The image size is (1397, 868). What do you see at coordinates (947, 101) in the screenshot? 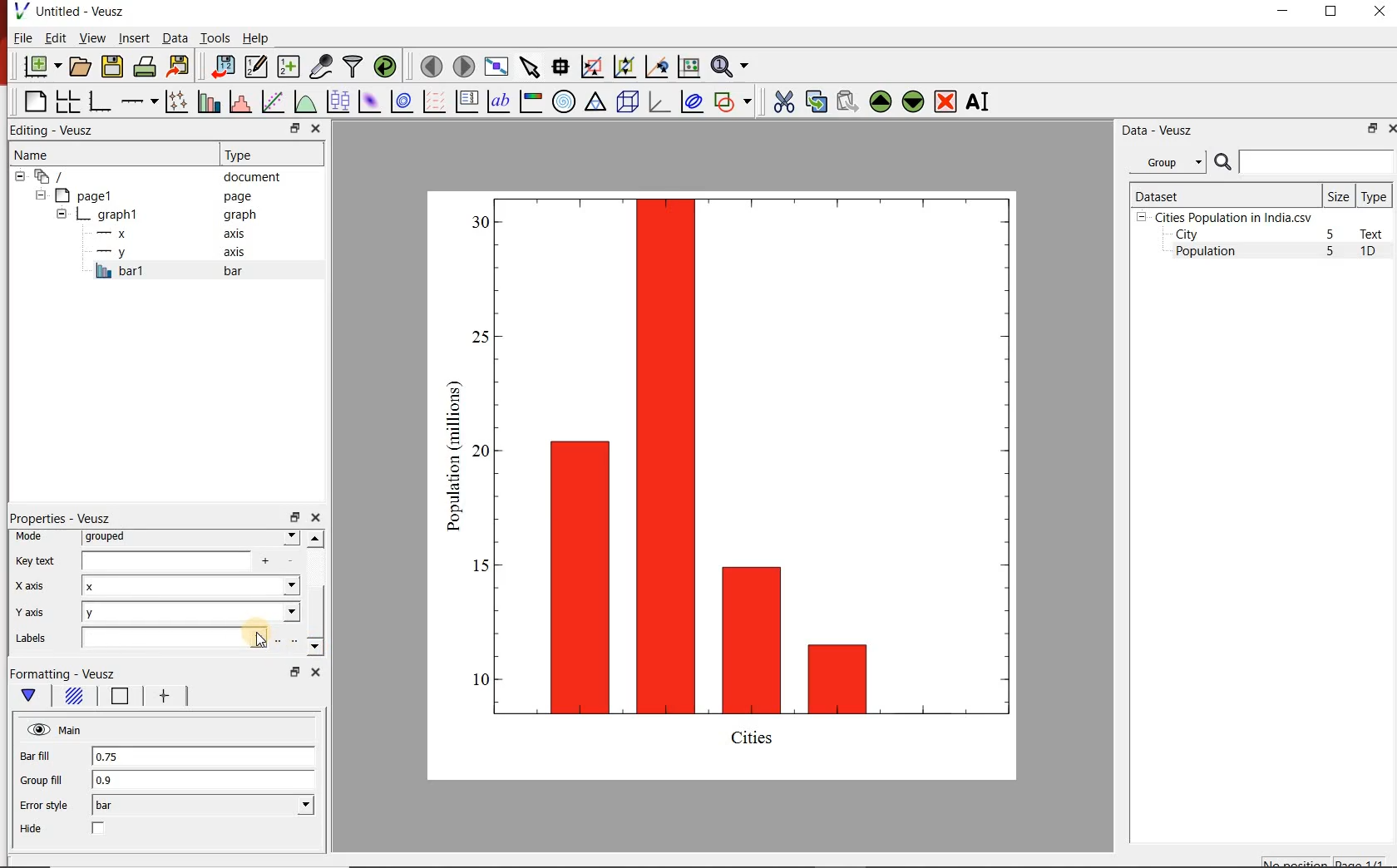
I see `remove the selected widgets` at bounding box center [947, 101].